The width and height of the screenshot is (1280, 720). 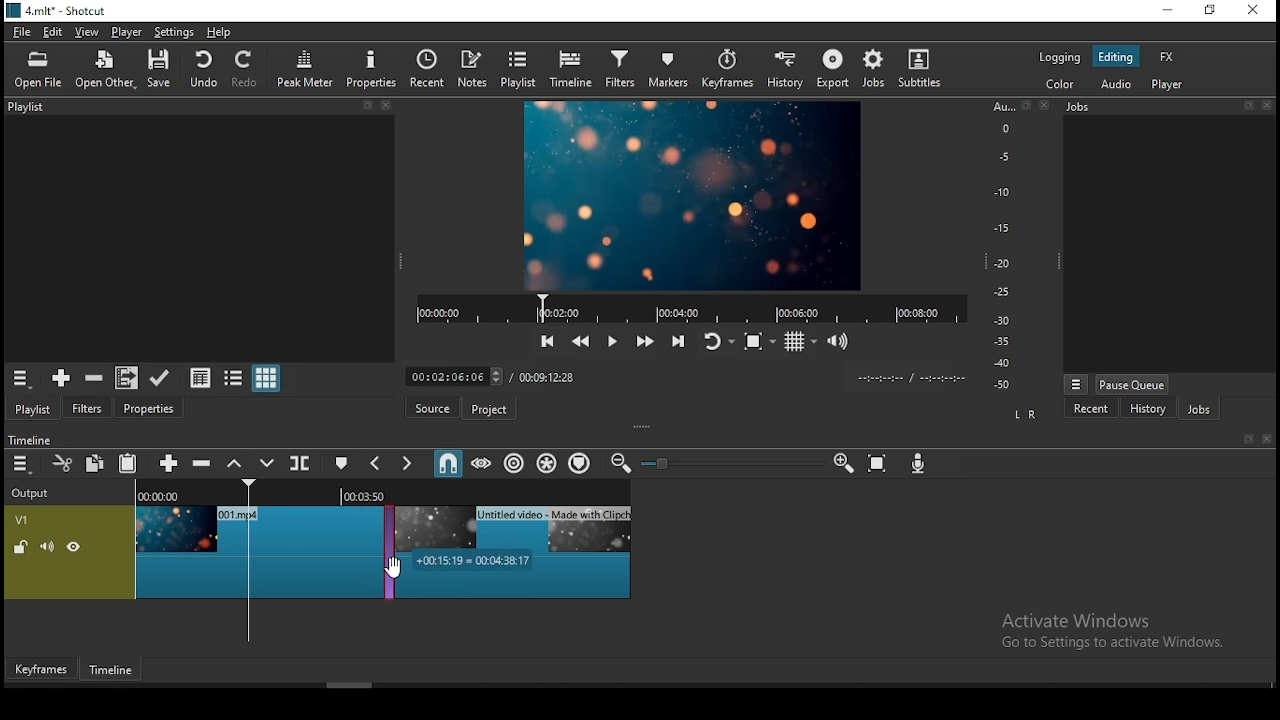 I want to click on player, so click(x=125, y=31).